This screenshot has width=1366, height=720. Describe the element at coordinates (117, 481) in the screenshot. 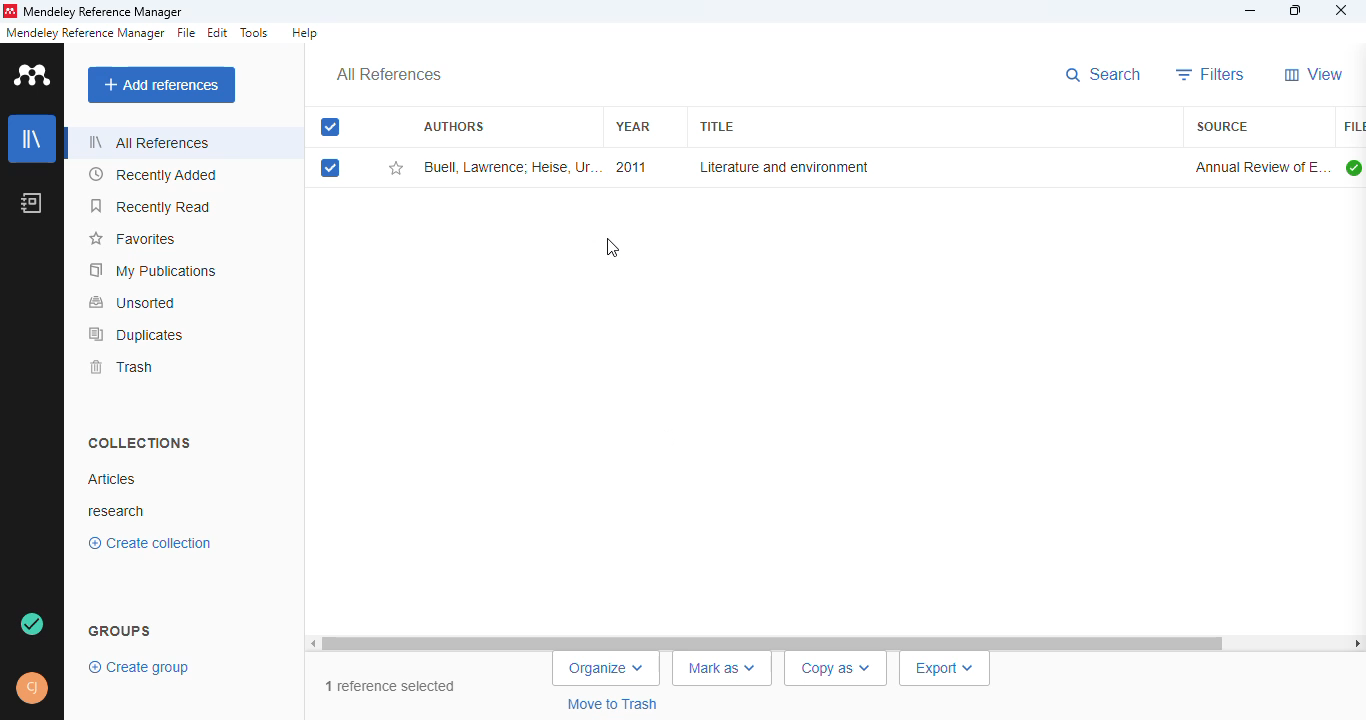

I see `Artiles` at that location.